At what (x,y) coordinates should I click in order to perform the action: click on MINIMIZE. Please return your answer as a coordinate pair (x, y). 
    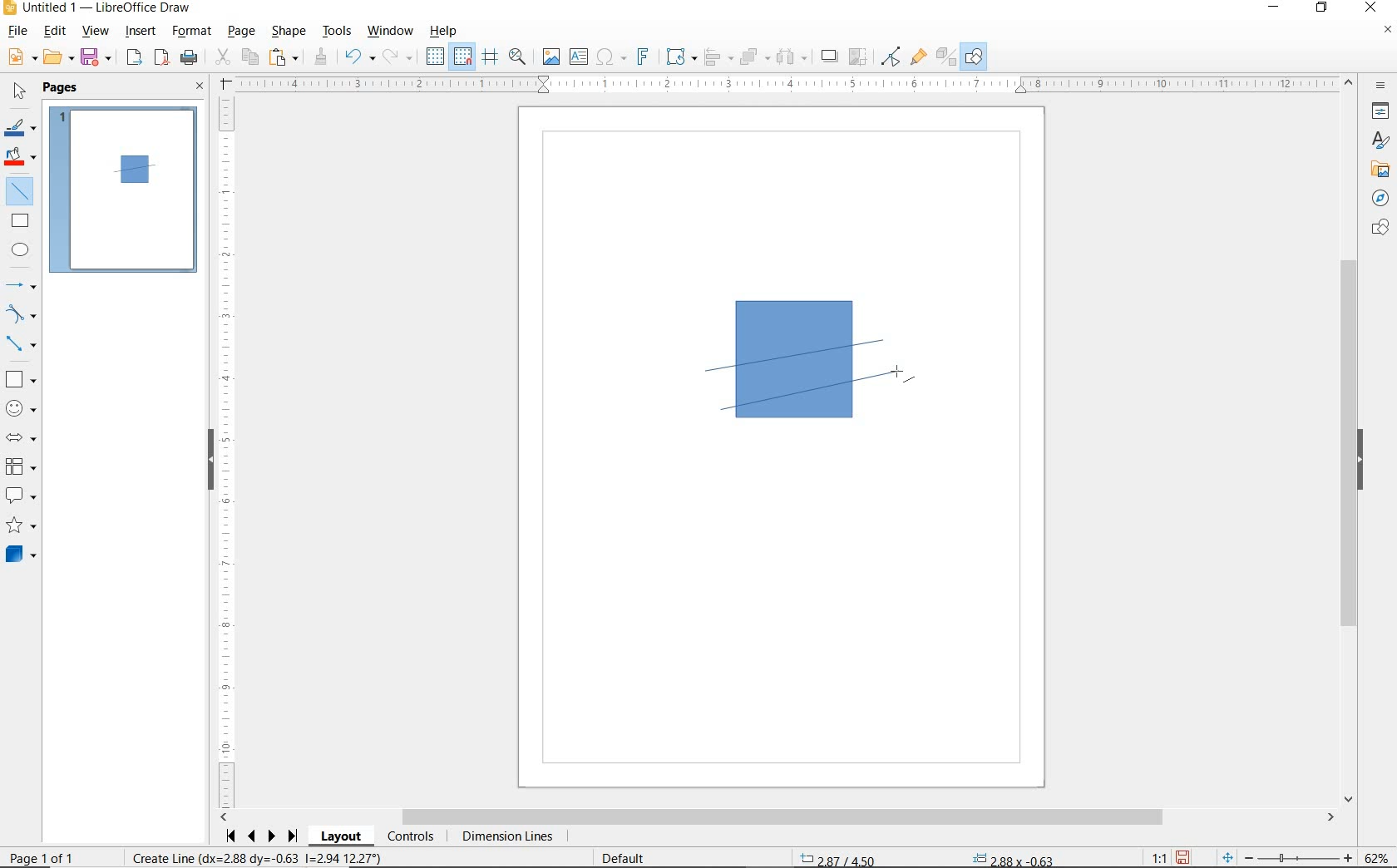
    Looking at the image, I should click on (1278, 8).